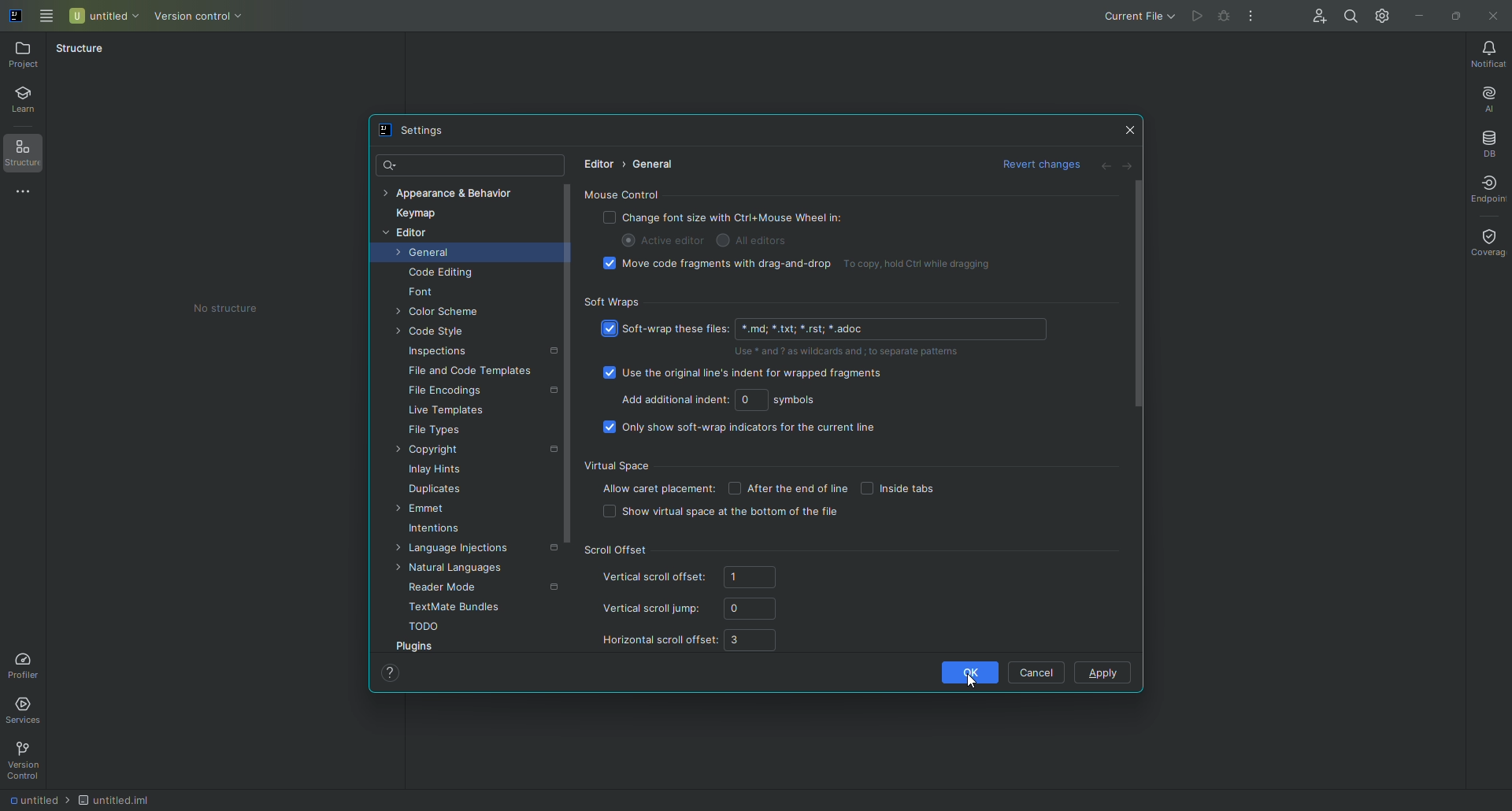 The image size is (1512, 811). Describe the element at coordinates (422, 294) in the screenshot. I see `Font` at that location.